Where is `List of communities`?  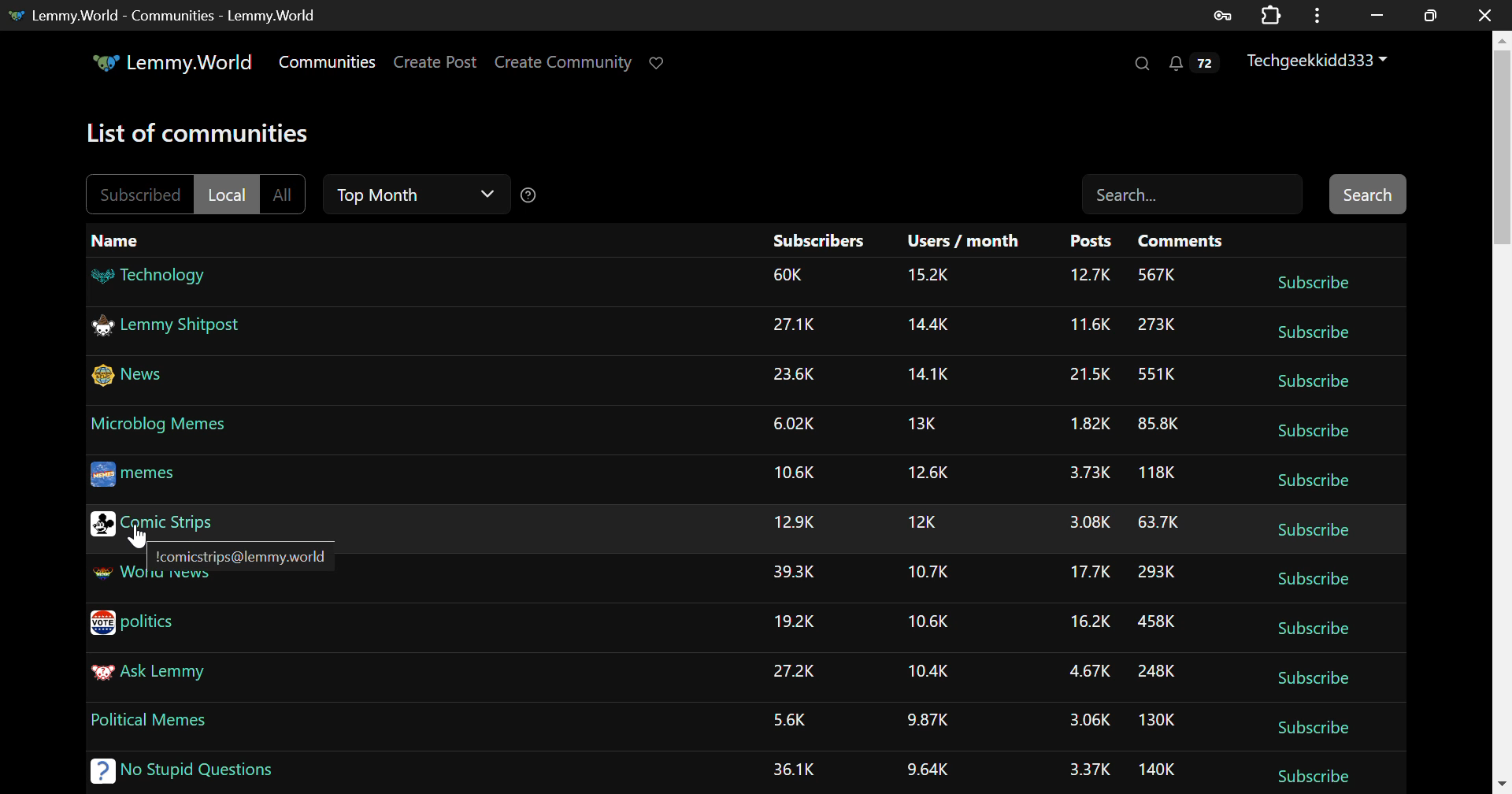
List of communities is located at coordinates (205, 135).